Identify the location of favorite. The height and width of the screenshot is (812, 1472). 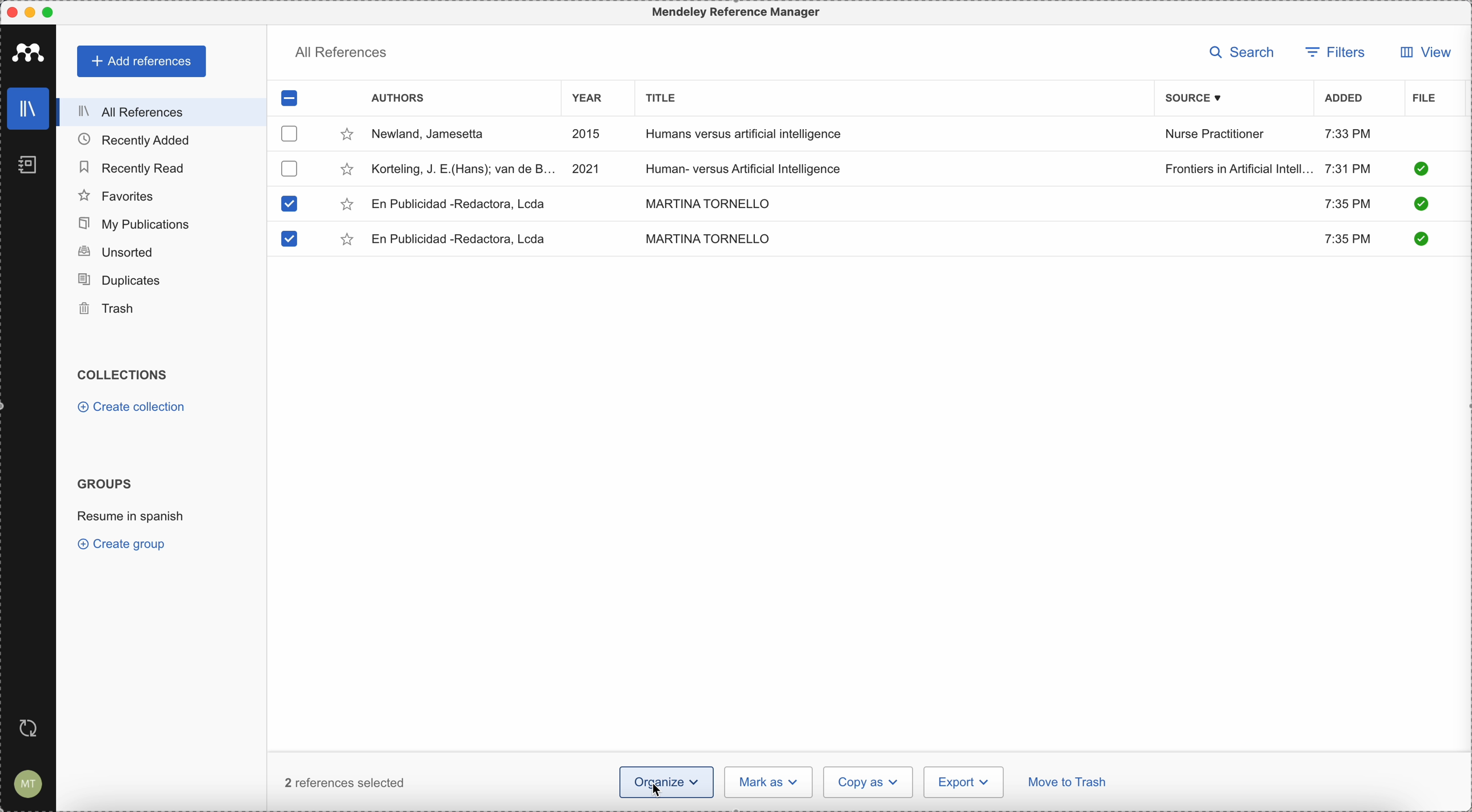
(347, 137).